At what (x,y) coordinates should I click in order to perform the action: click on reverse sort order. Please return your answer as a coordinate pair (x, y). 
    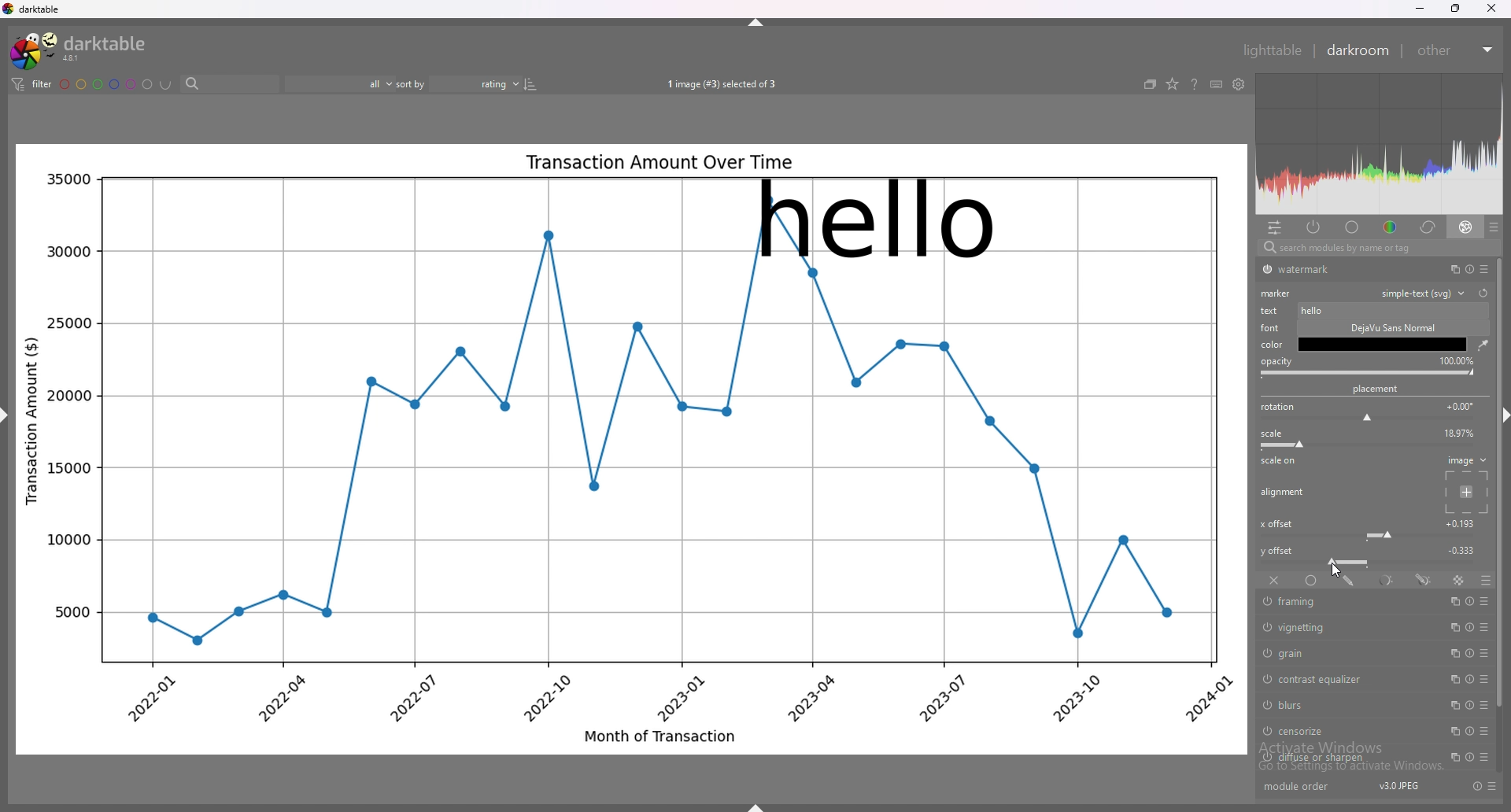
    Looking at the image, I should click on (530, 83).